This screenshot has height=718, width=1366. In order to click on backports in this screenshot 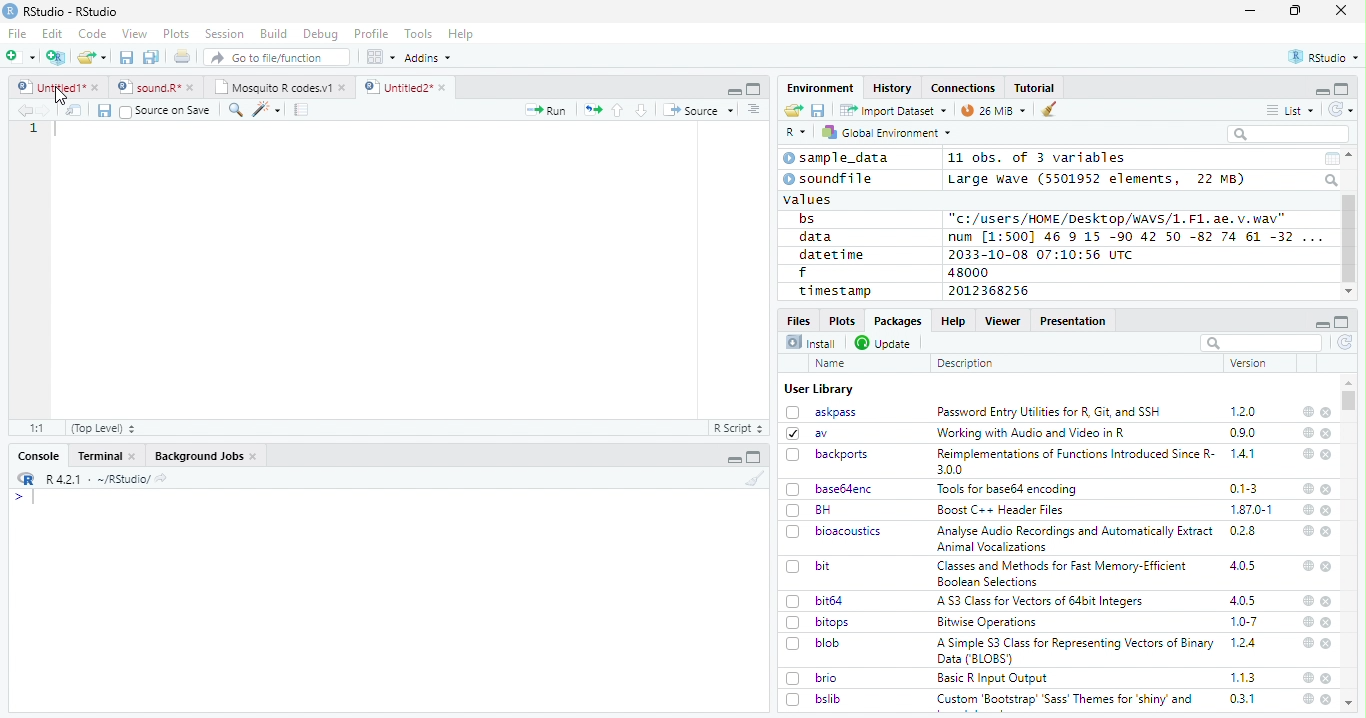, I will do `click(830, 455)`.